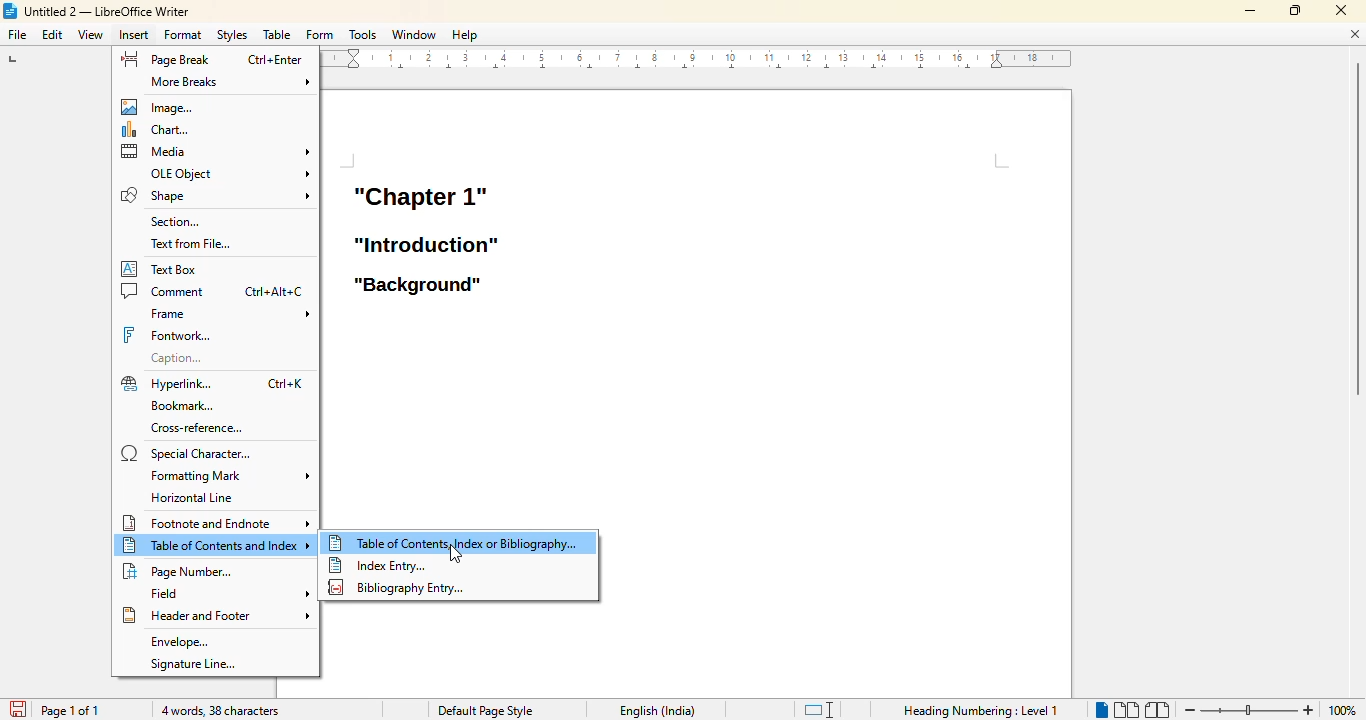 The width and height of the screenshot is (1366, 720). Describe the element at coordinates (166, 384) in the screenshot. I see `hyperlink` at that location.